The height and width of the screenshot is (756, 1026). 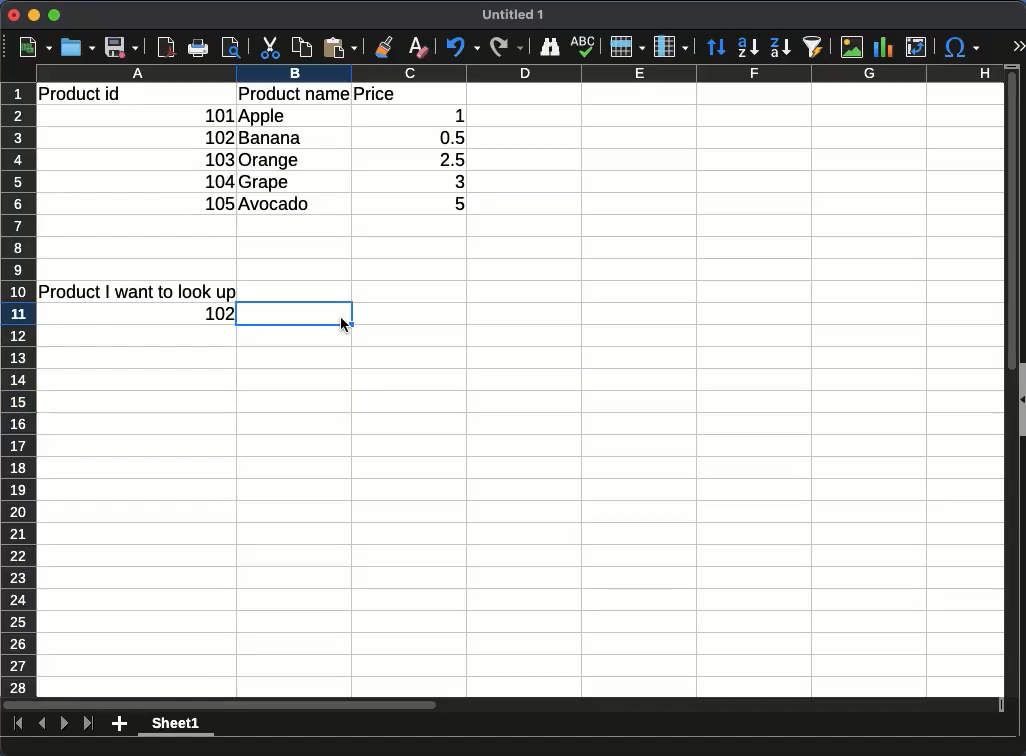 I want to click on redo, so click(x=507, y=47).